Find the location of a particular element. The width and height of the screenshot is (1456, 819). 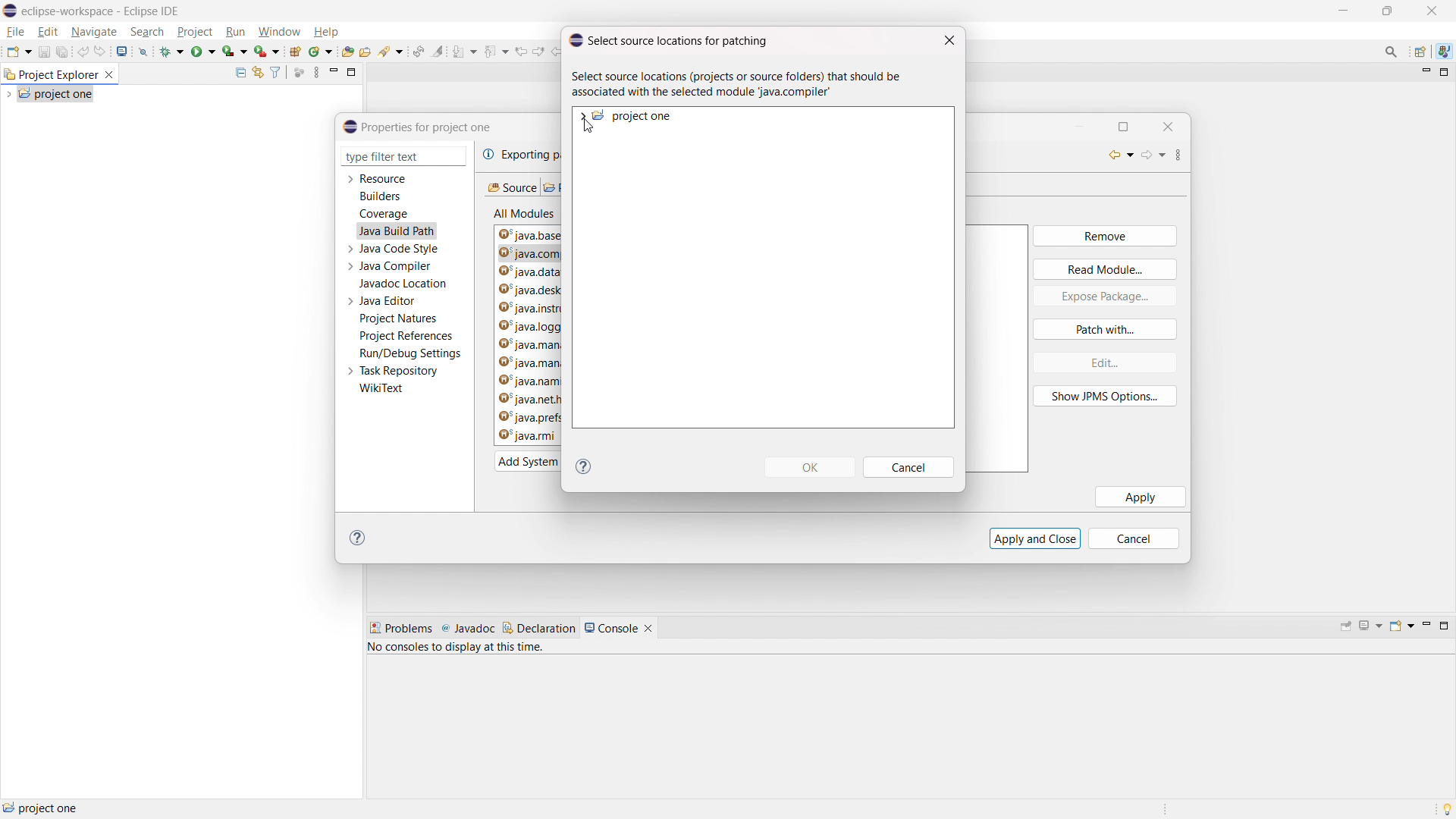

cancel is located at coordinates (910, 468).